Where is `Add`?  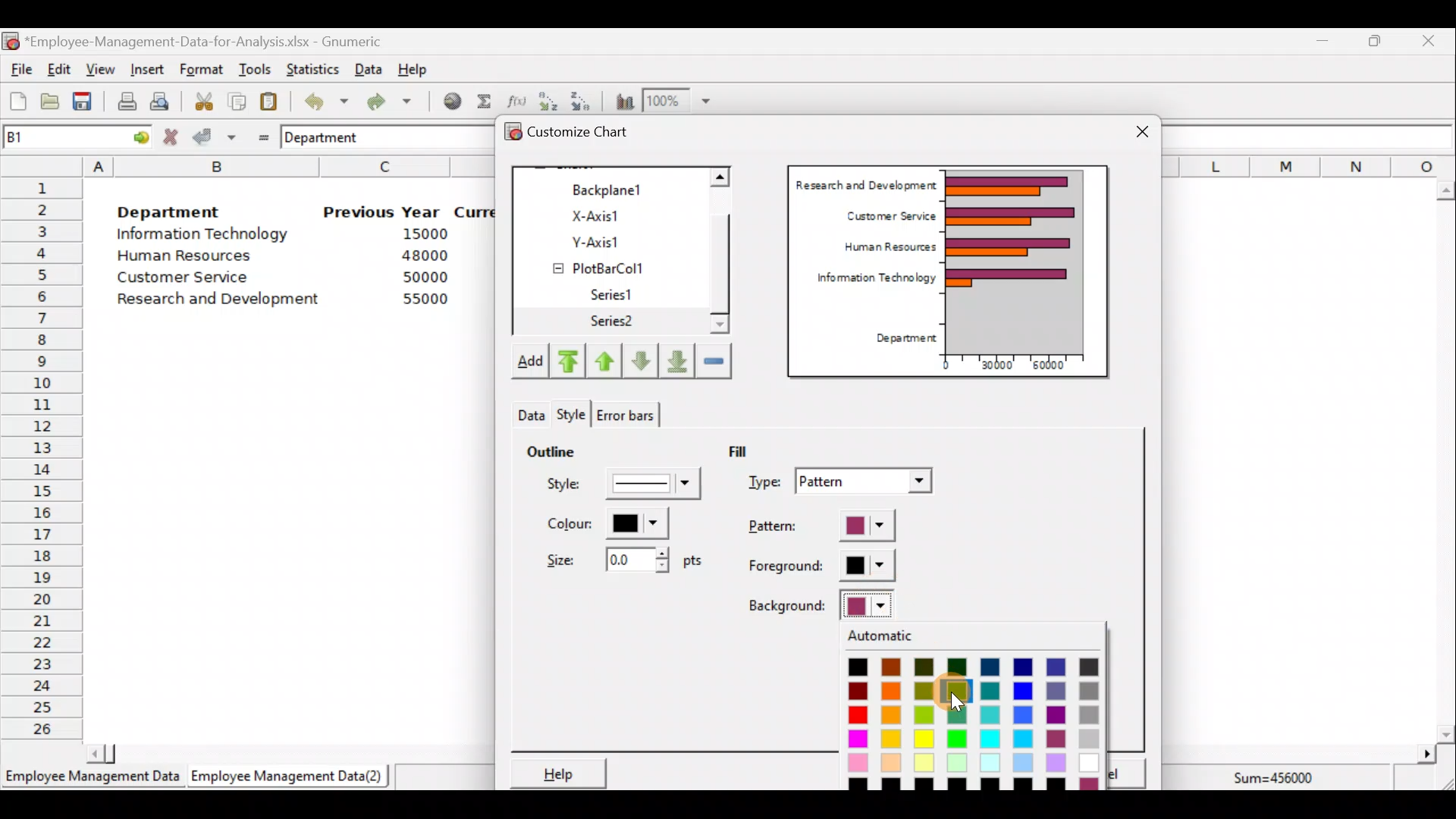
Add is located at coordinates (529, 364).